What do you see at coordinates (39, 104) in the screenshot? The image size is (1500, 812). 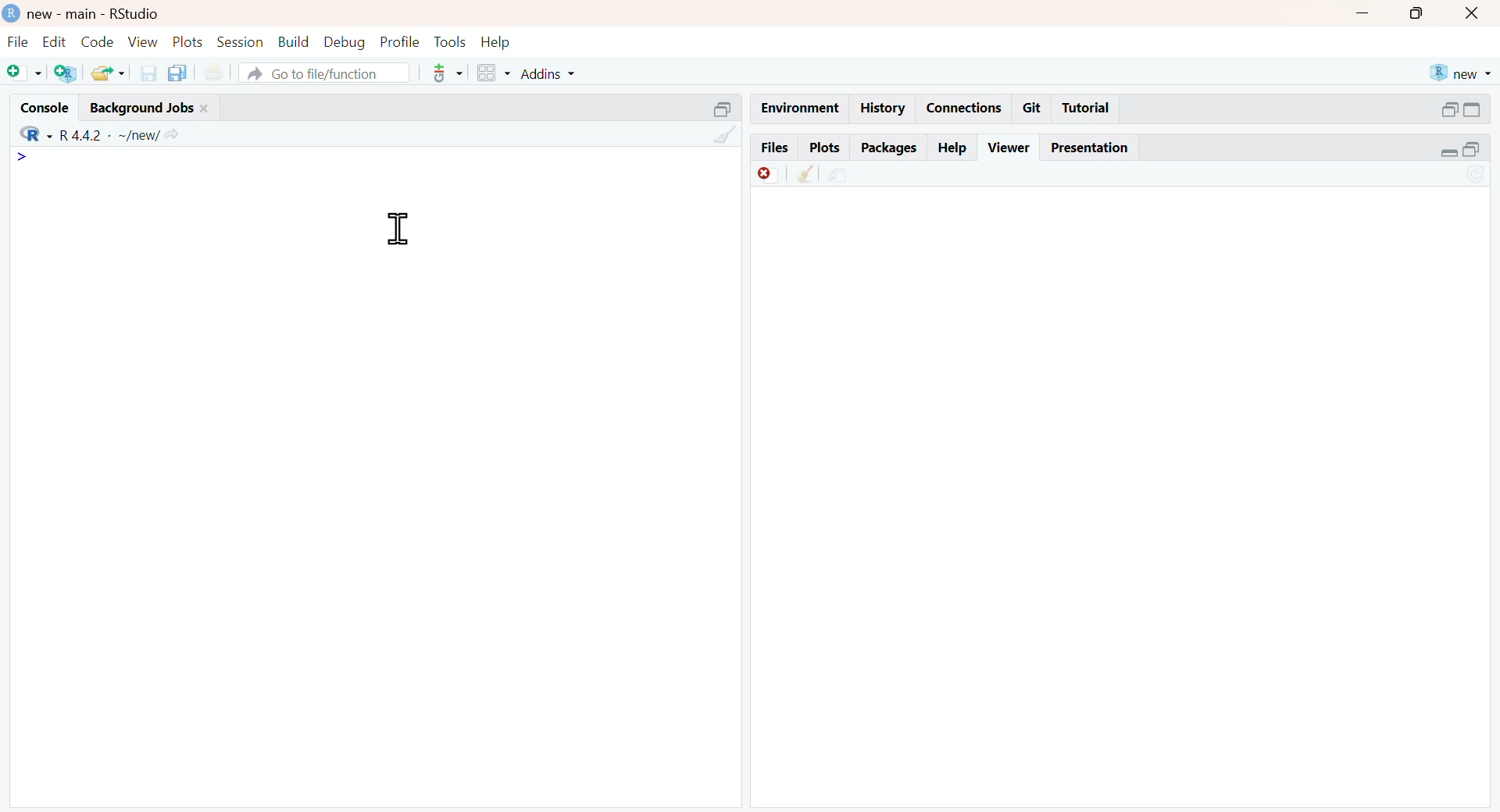 I see `Console` at bounding box center [39, 104].